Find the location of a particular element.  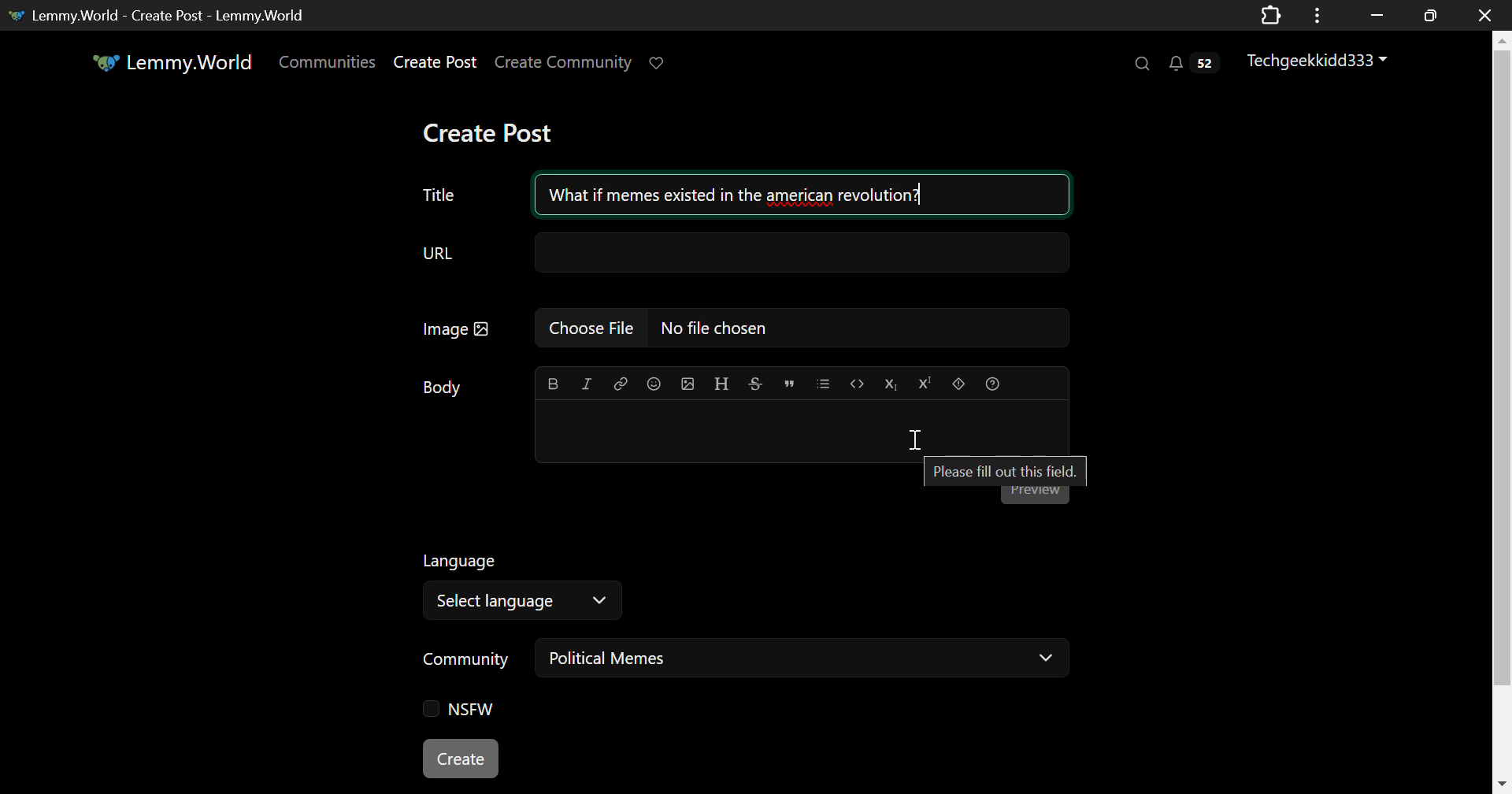

Link is located at coordinates (621, 382).